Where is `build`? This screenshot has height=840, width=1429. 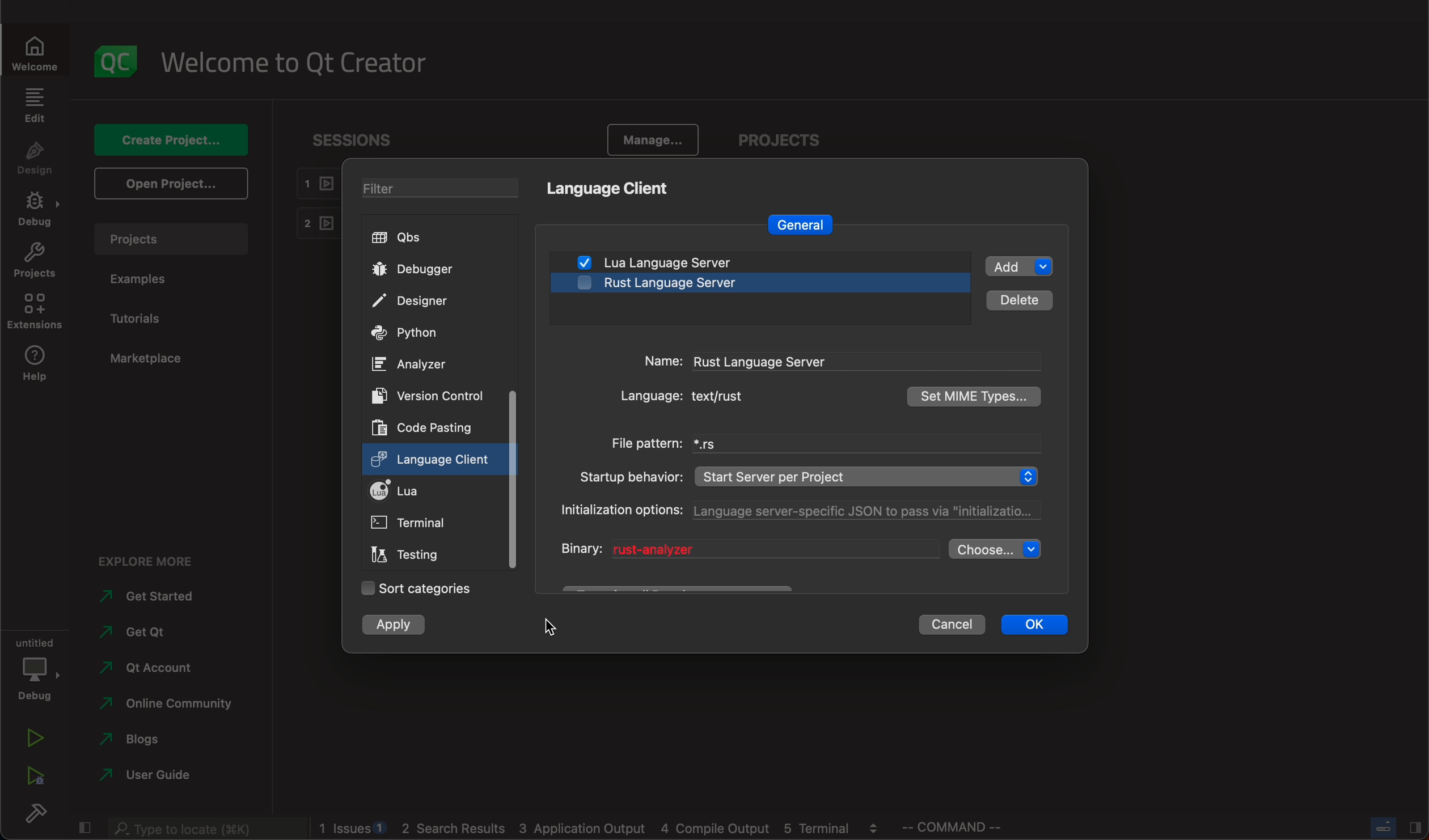 build is located at coordinates (40, 816).